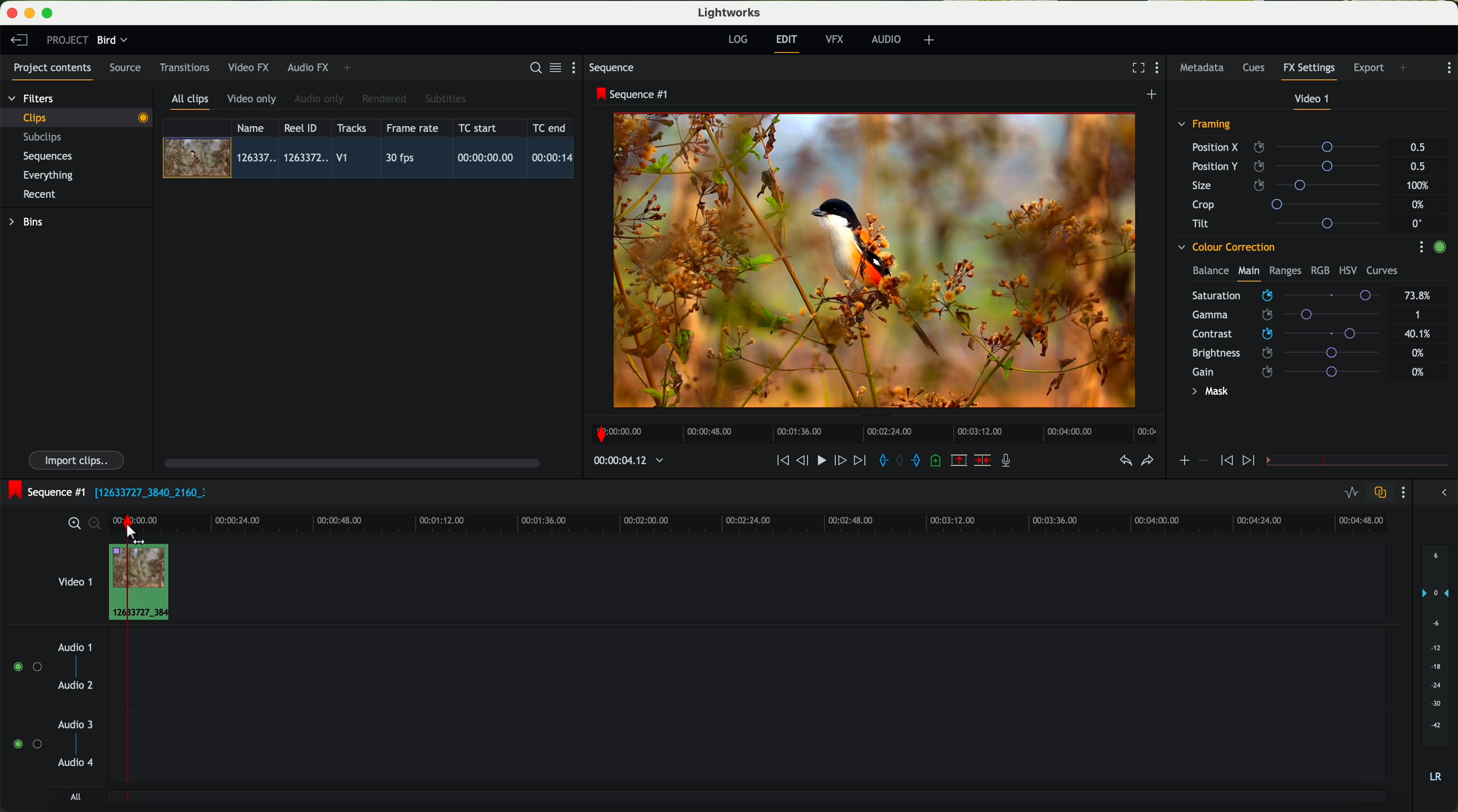 Image resolution: width=1458 pixels, height=812 pixels. What do you see at coordinates (1418, 296) in the screenshot?
I see `73.8%` at bounding box center [1418, 296].